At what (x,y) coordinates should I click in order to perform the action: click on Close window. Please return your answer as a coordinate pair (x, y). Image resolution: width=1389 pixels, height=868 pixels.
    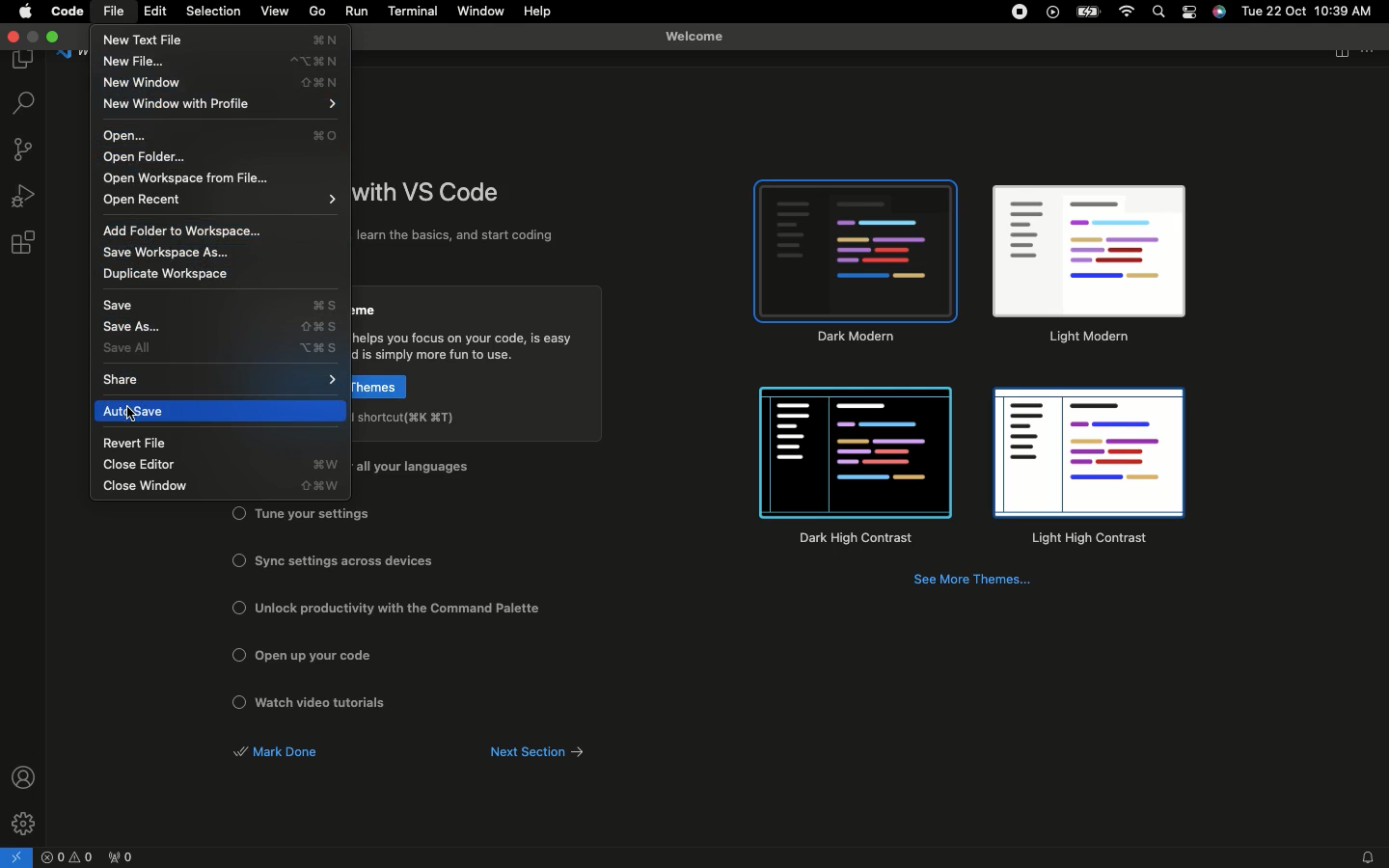
    Looking at the image, I should click on (219, 487).